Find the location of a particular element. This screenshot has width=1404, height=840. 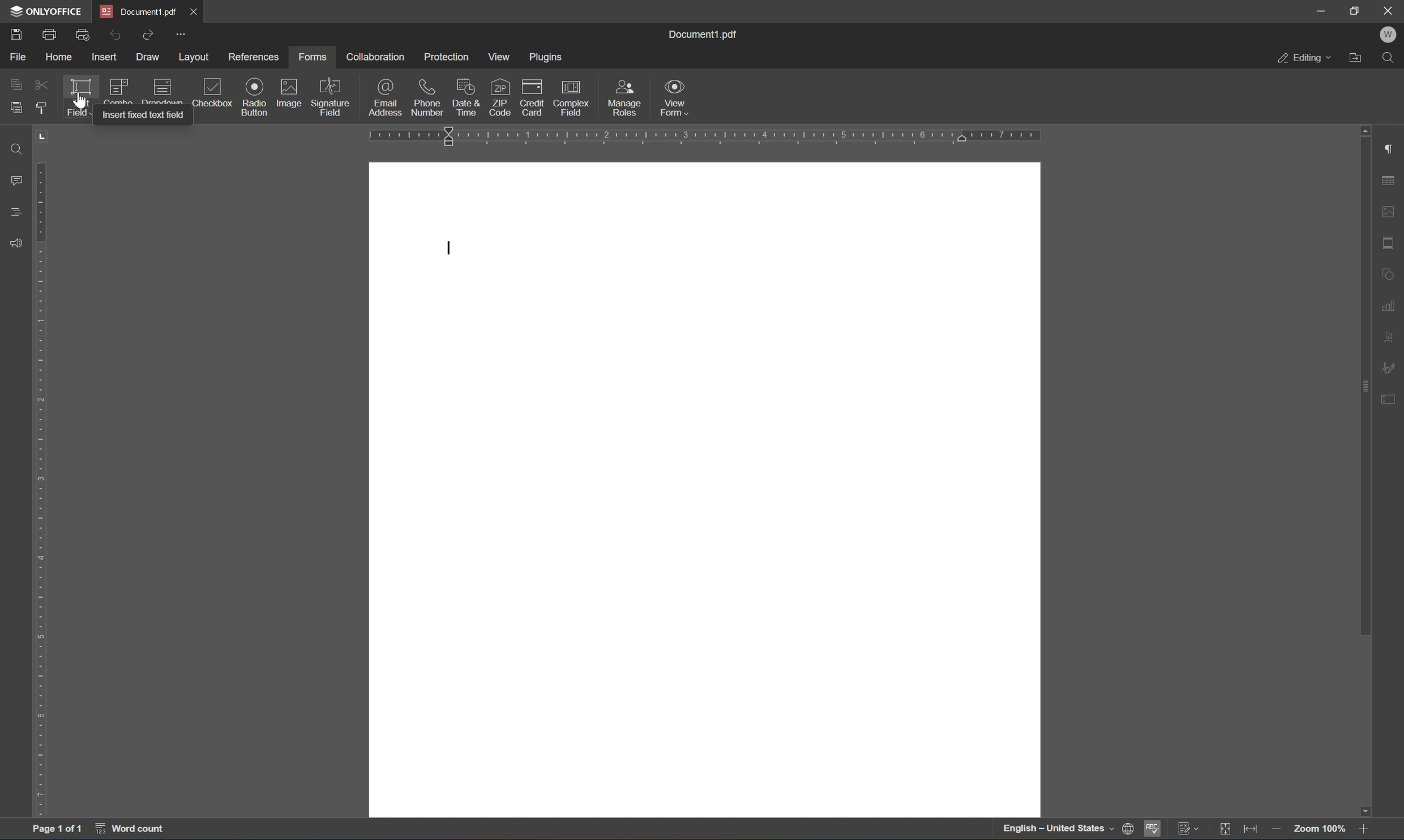

complex field is located at coordinates (571, 102).